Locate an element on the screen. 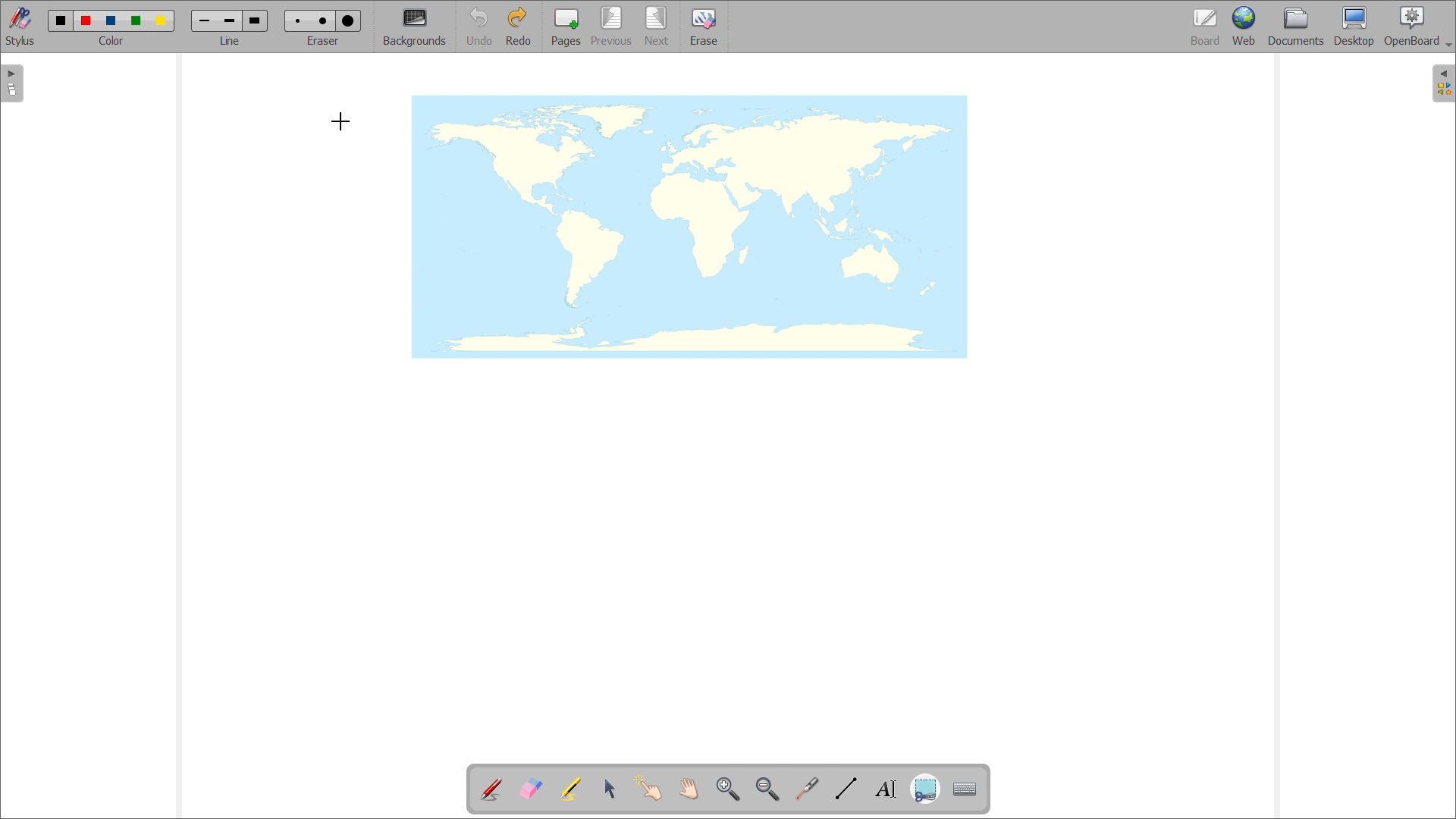 Image resolution: width=1456 pixels, height=819 pixels. small is located at coordinates (205, 20).